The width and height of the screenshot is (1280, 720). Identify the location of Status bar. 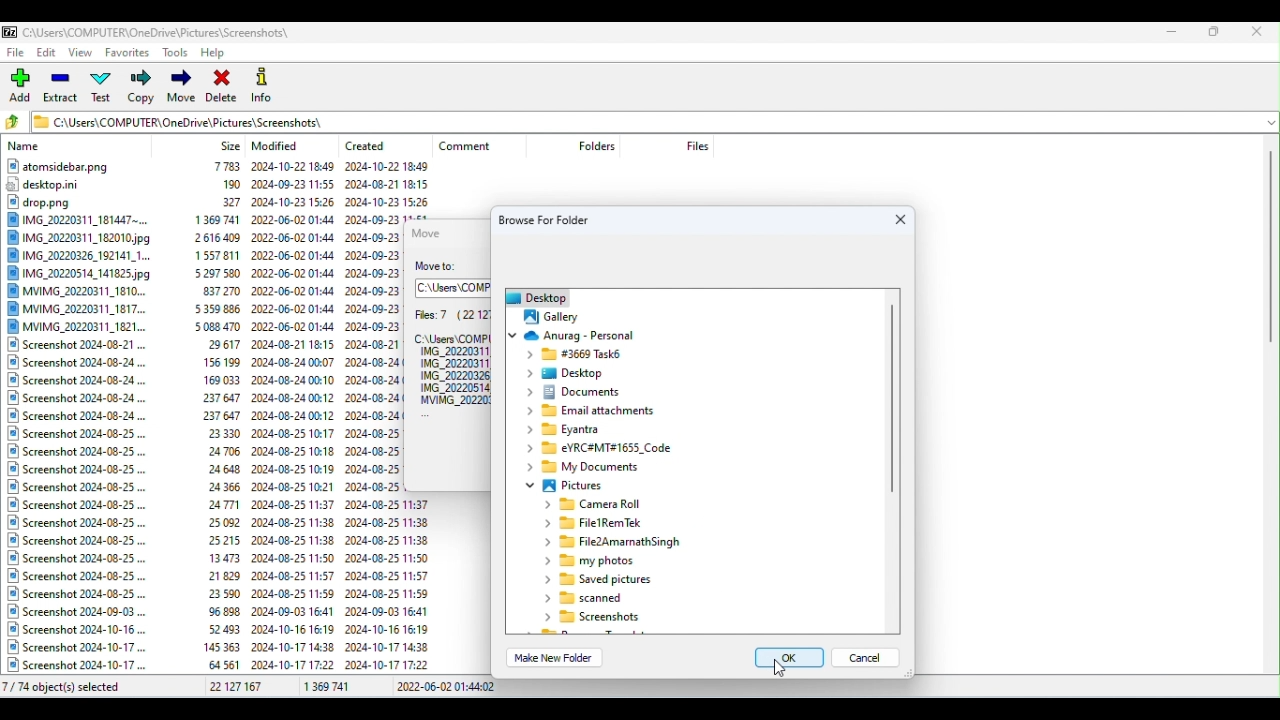
(642, 688).